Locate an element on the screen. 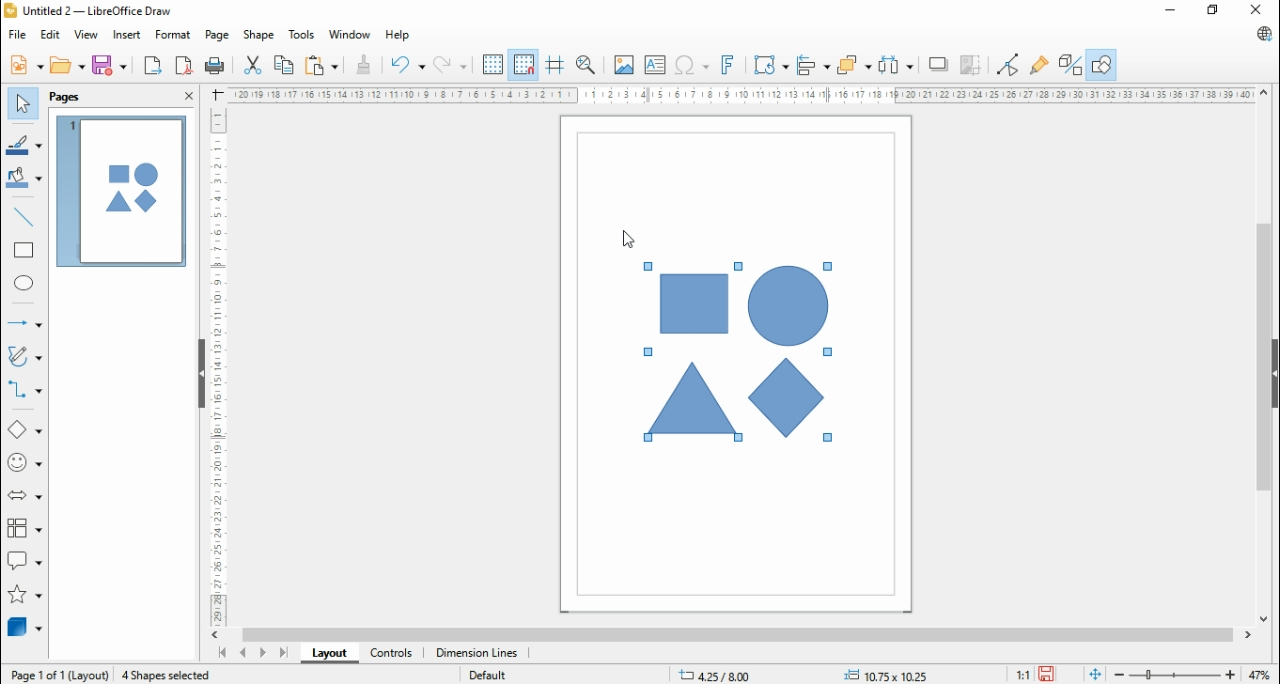 This screenshot has width=1280, height=684. helplines while moving is located at coordinates (554, 64).